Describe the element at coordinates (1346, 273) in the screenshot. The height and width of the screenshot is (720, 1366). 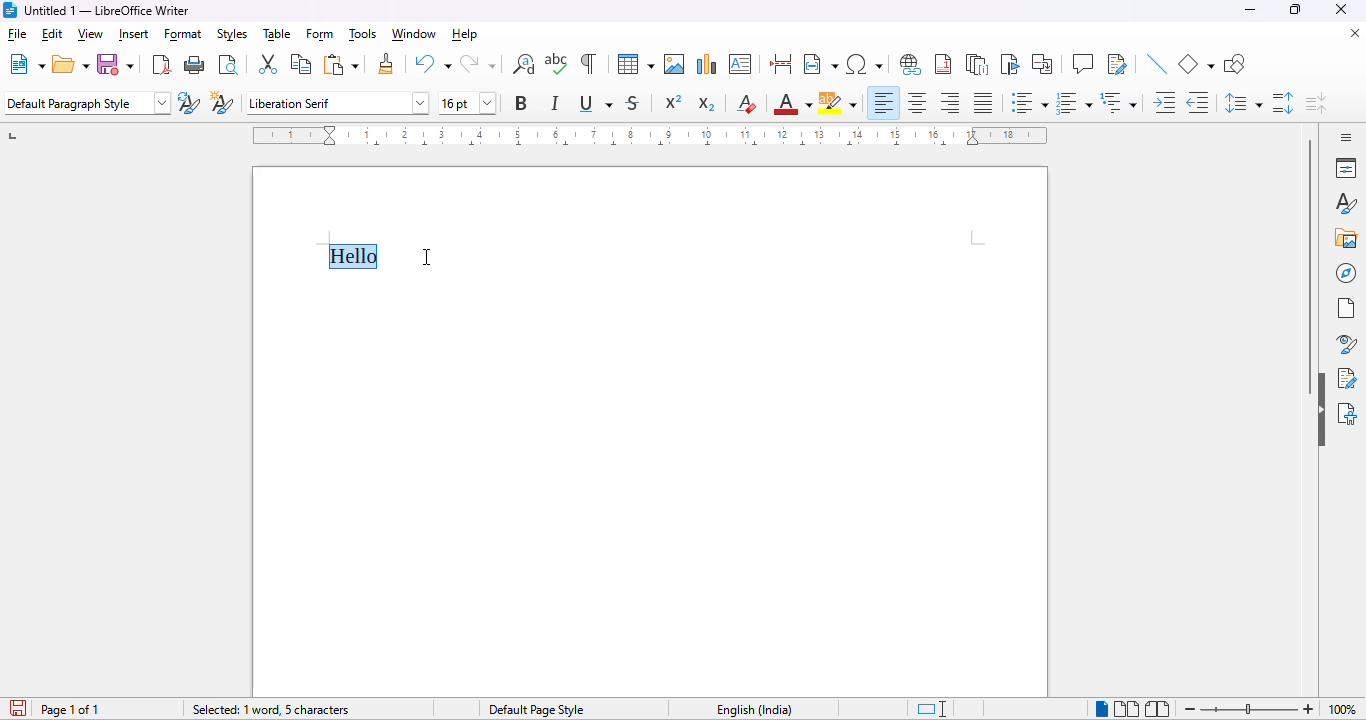
I see `navigator` at that location.